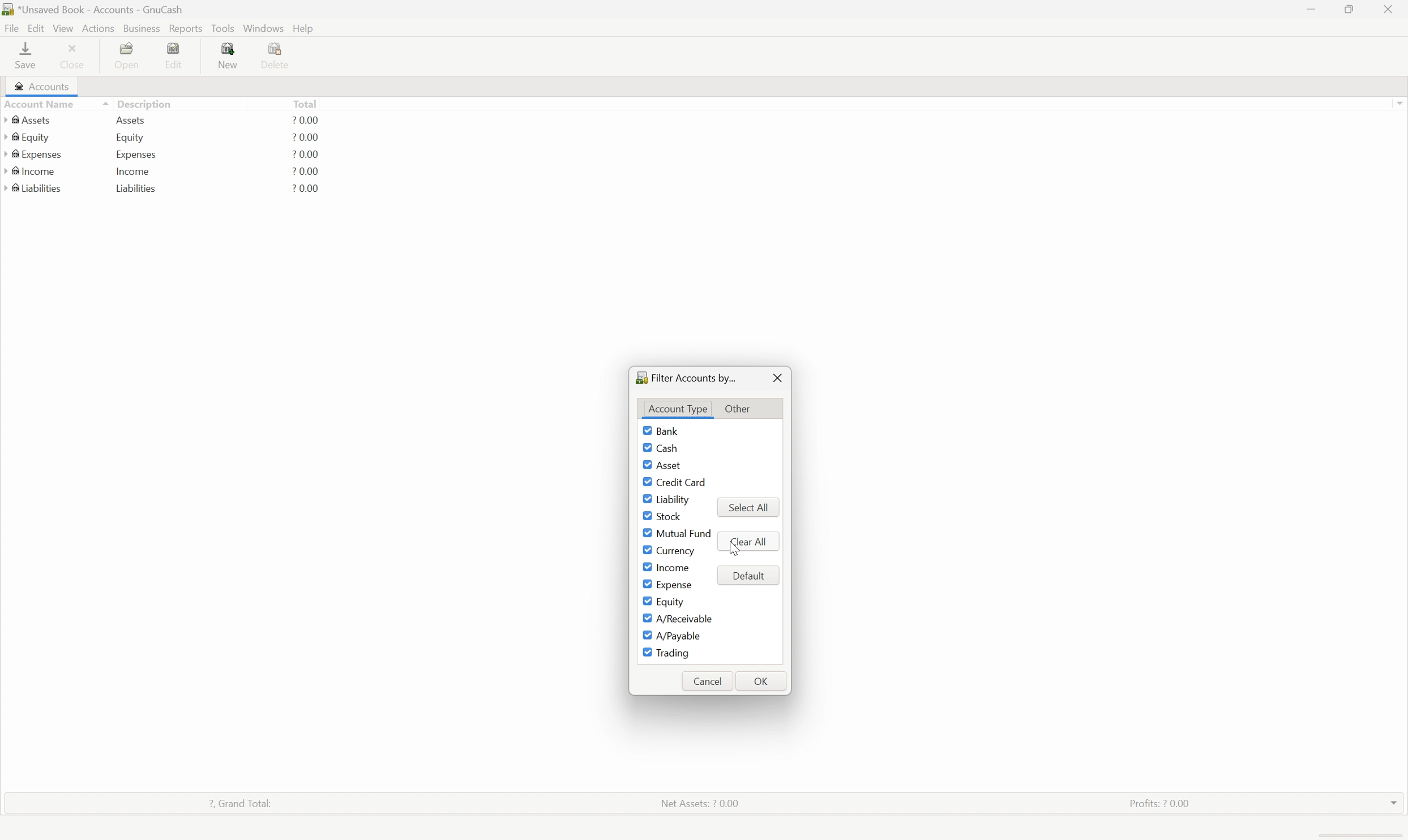  What do you see at coordinates (140, 103) in the screenshot?
I see `Description` at bounding box center [140, 103].